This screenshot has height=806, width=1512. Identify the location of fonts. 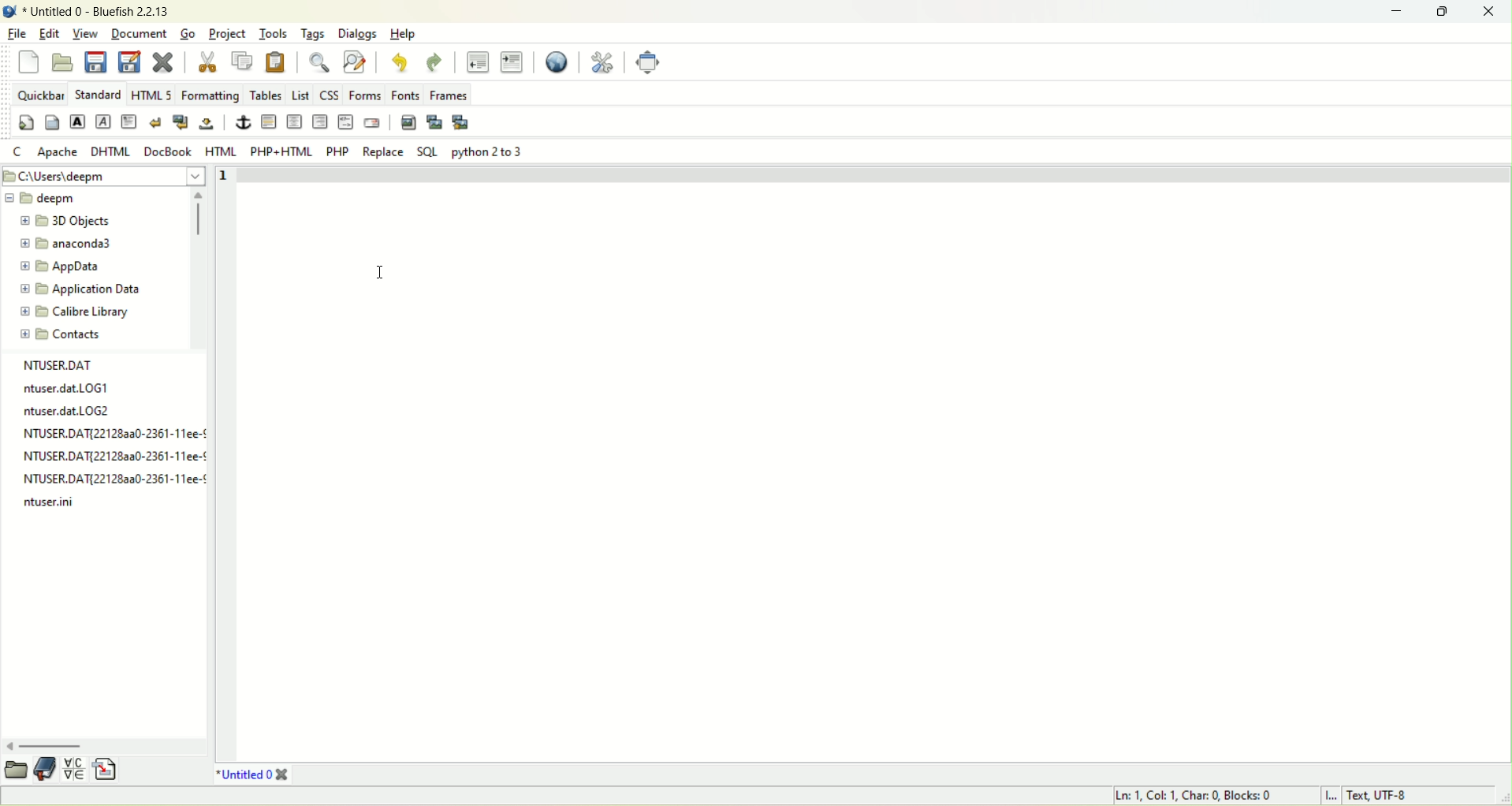
(404, 94).